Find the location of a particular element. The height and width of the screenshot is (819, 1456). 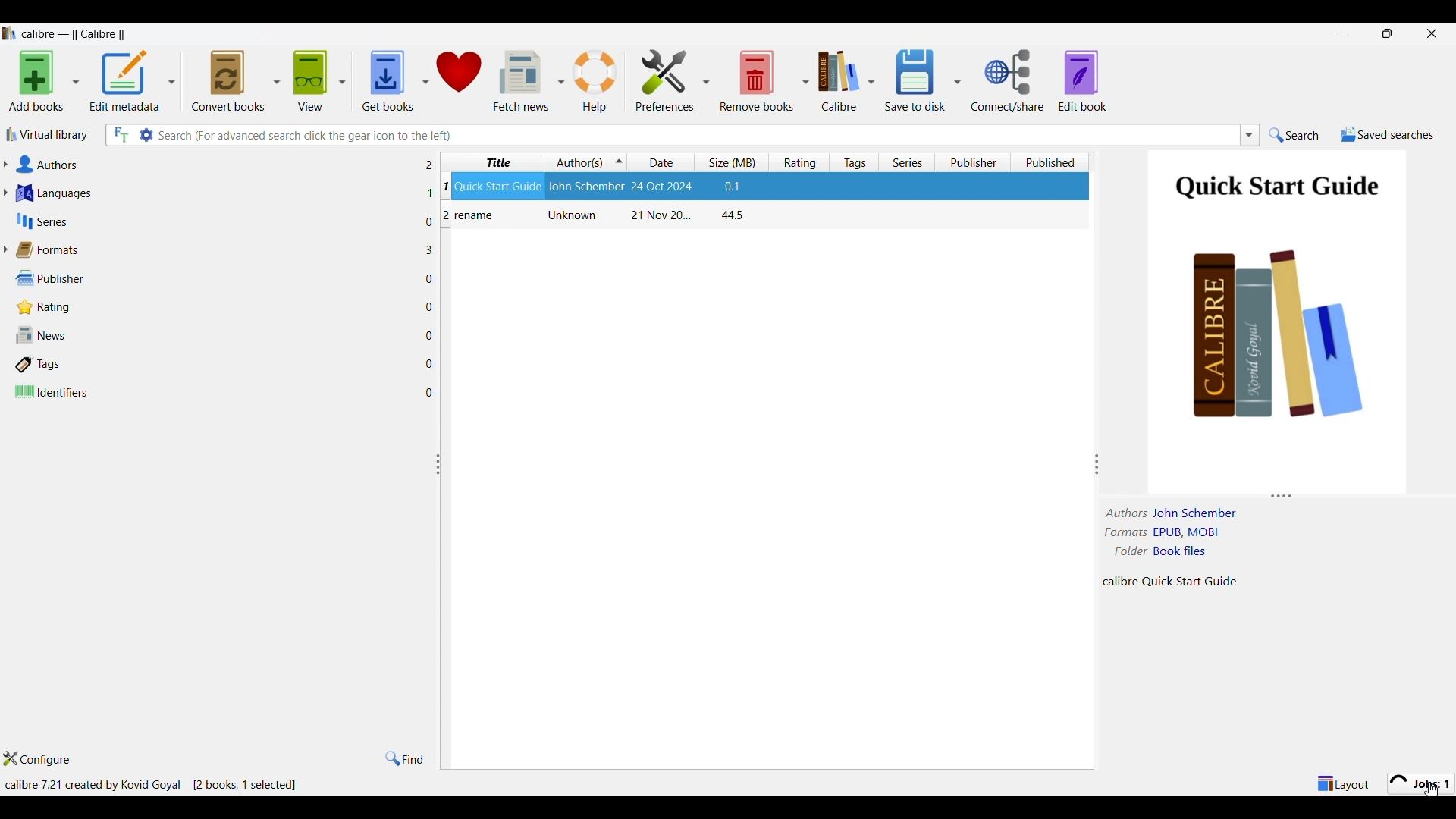

Get books is located at coordinates (385, 81).